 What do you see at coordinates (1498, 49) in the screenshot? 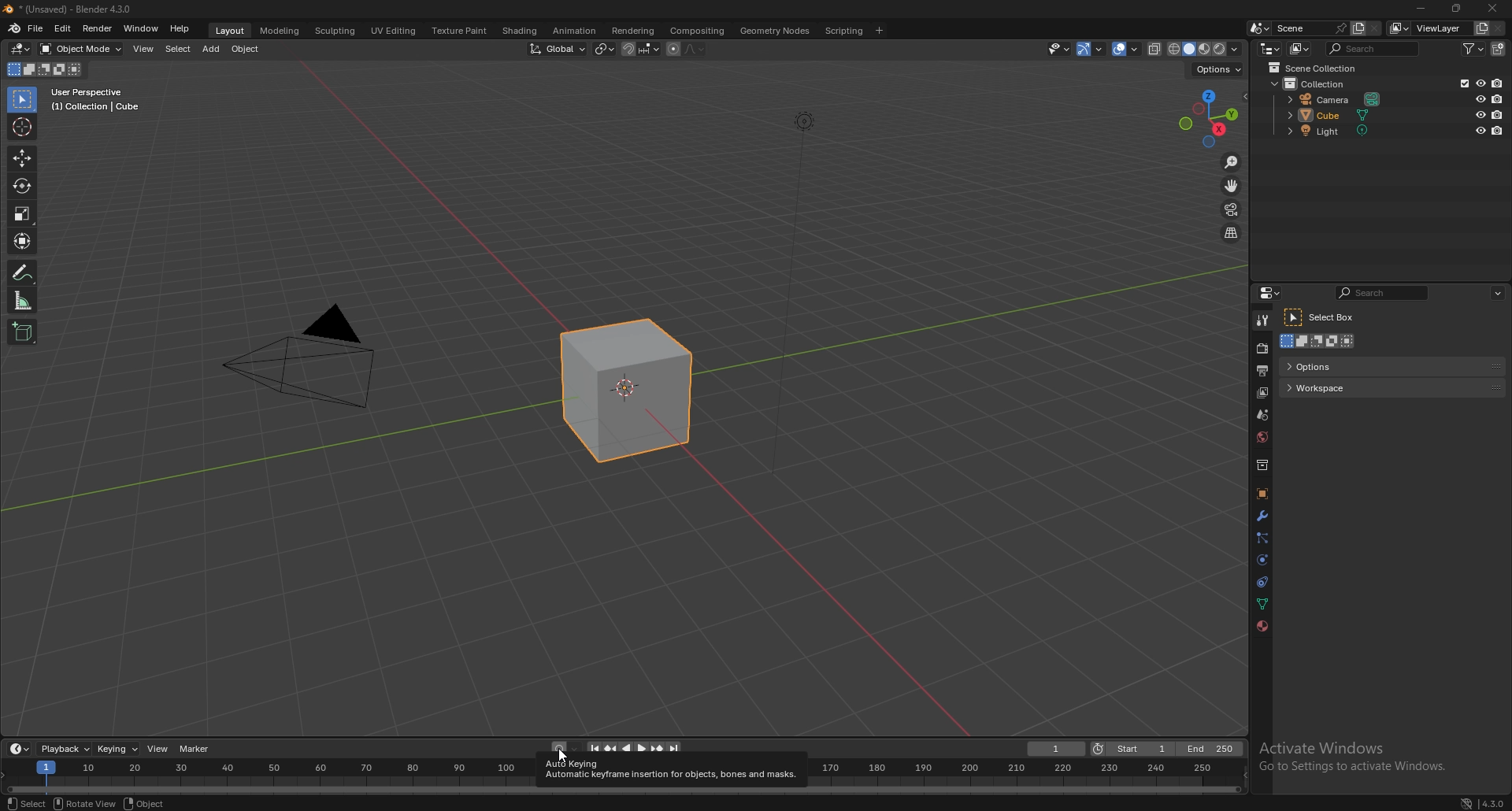
I see `add collection` at bounding box center [1498, 49].